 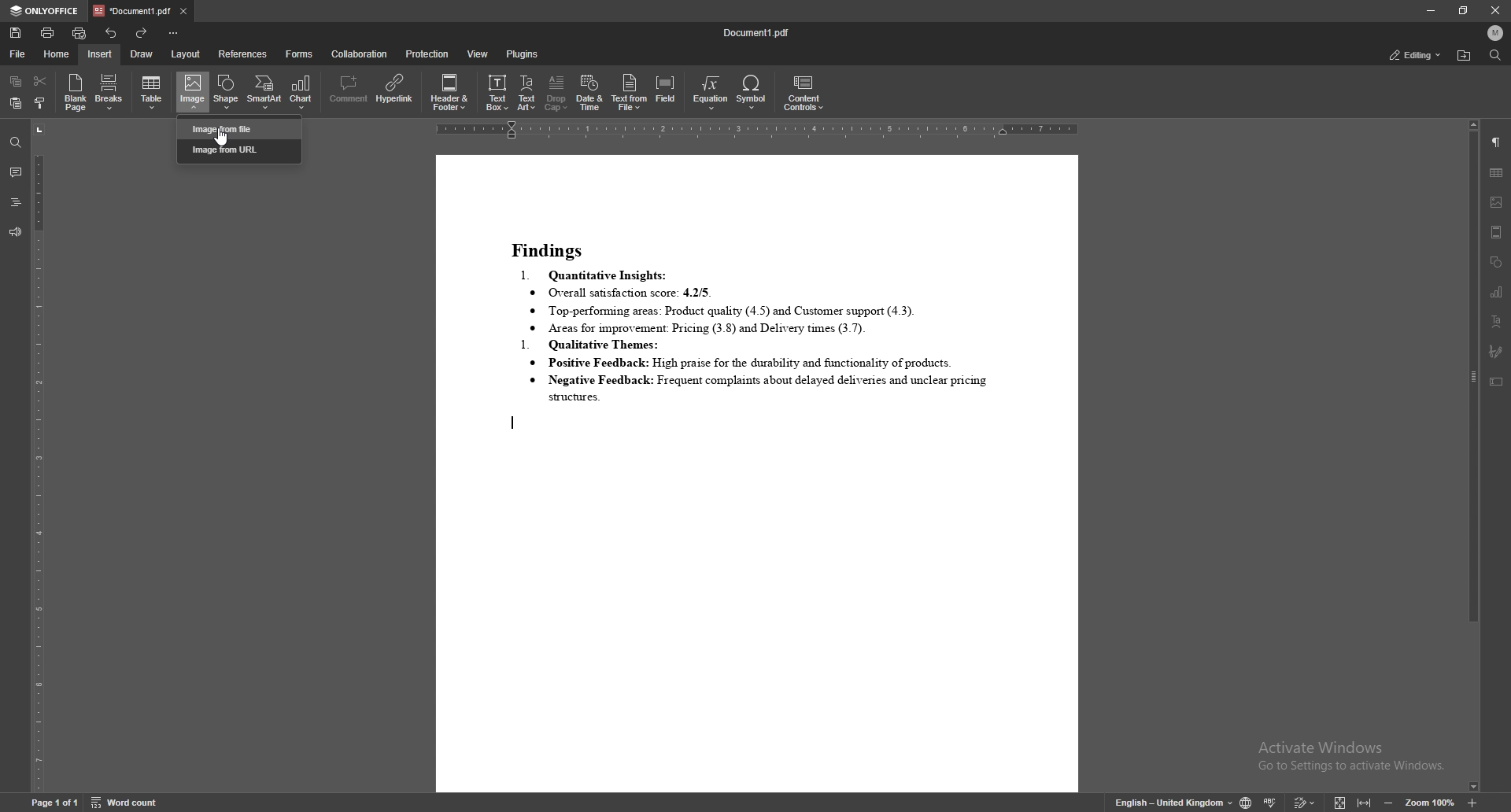 I want to click on image, so click(x=194, y=92).